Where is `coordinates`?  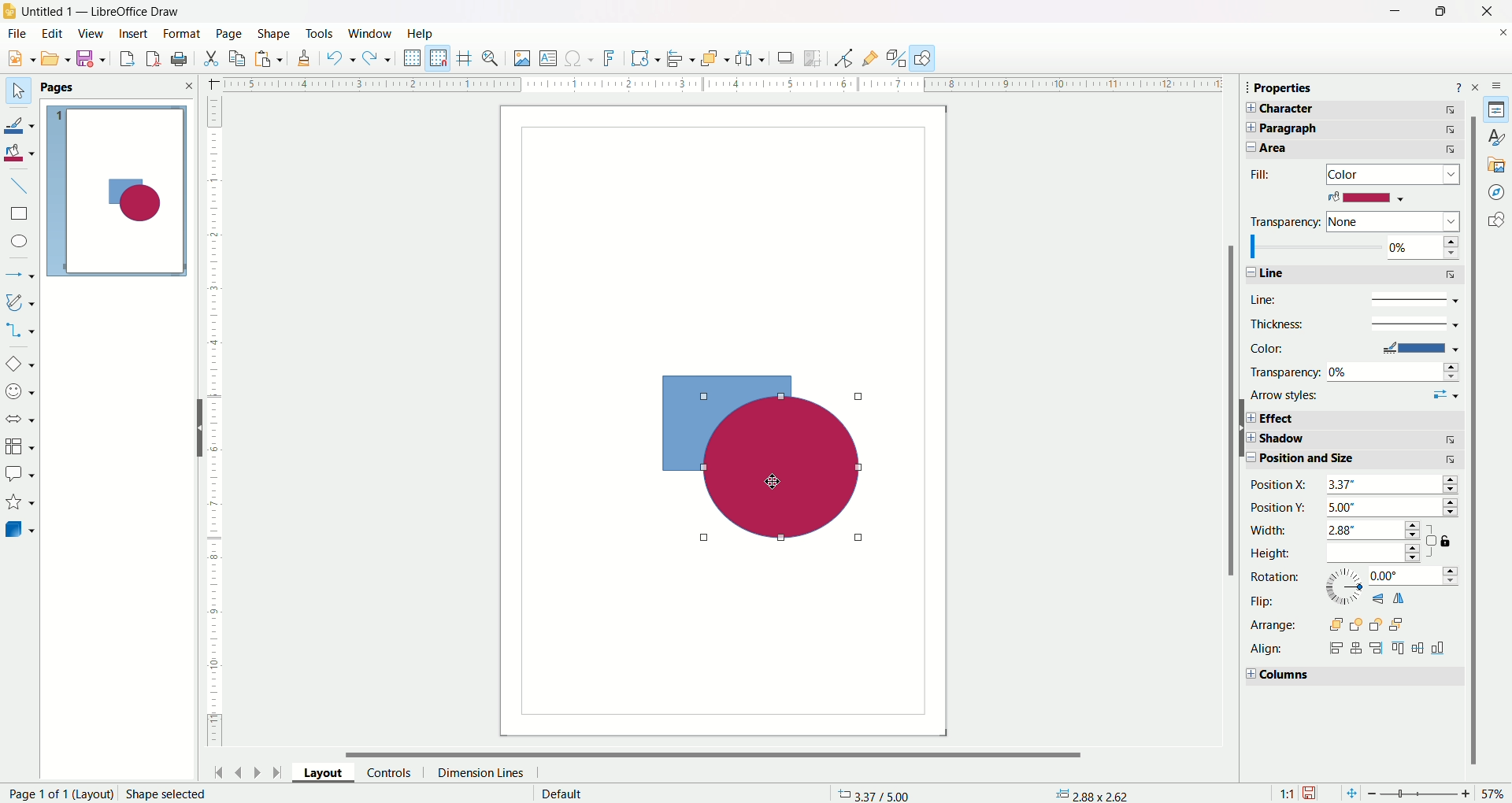 coordinates is located at coordinates (864, 790).